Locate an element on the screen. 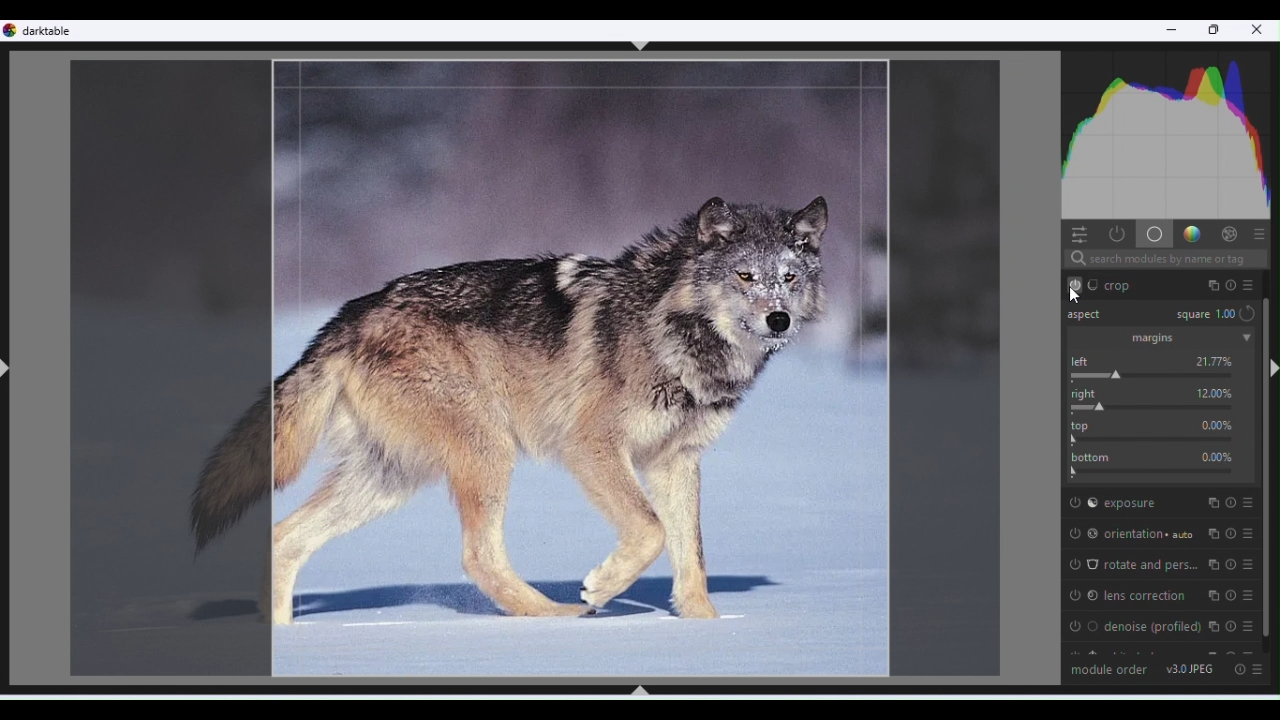  Left value is located at coordinates (1161, 375).